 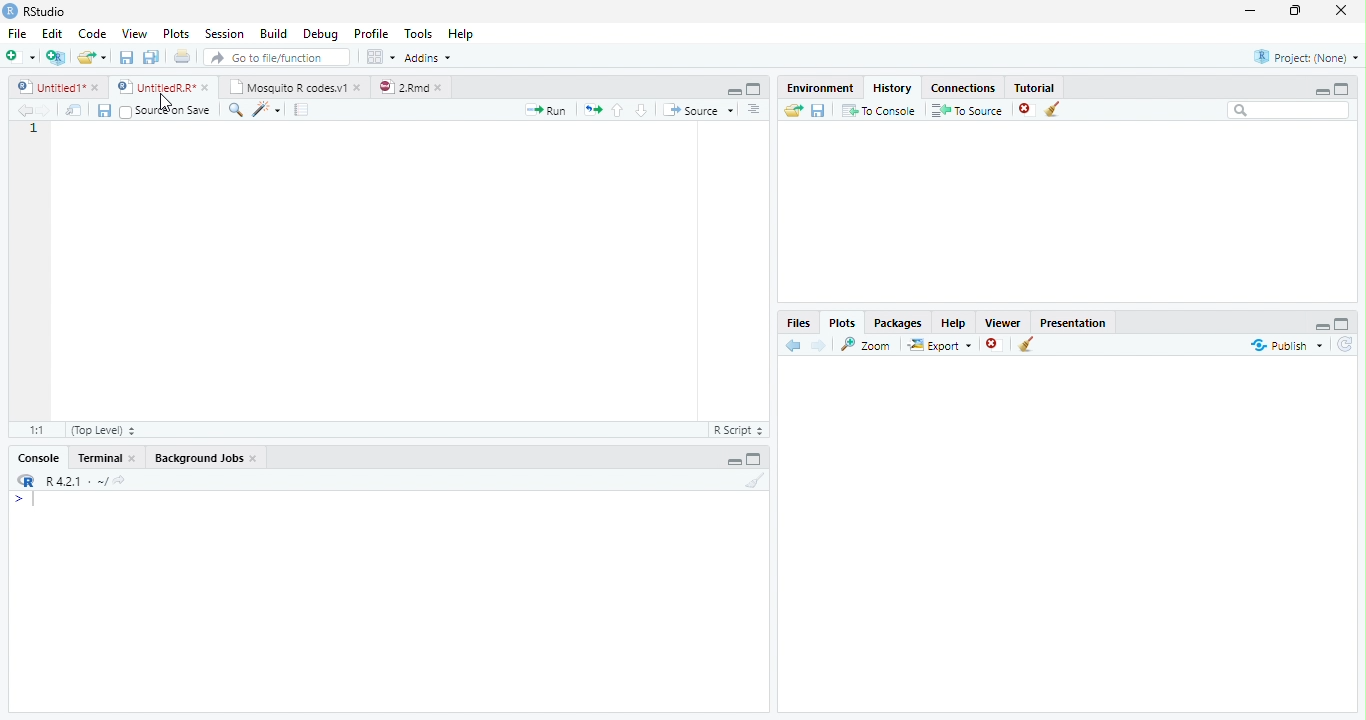 What do you see at coordinates (739, 430) in the screenshot?
I see `R Script` at bounding box center [739, 430].